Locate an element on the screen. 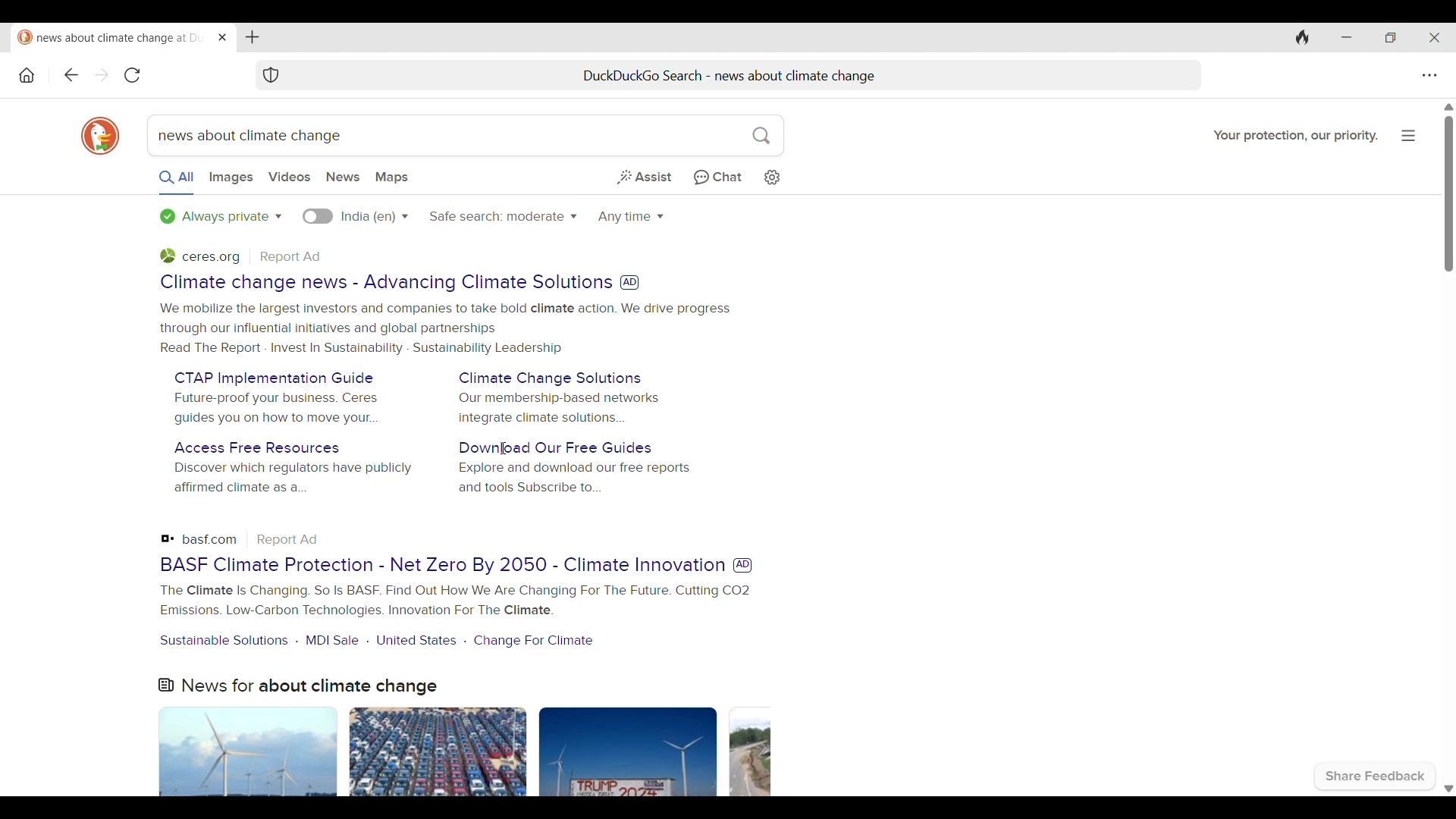 This screenshot has height=819, width=1456. Go backward is located at coordinates (101, 74).